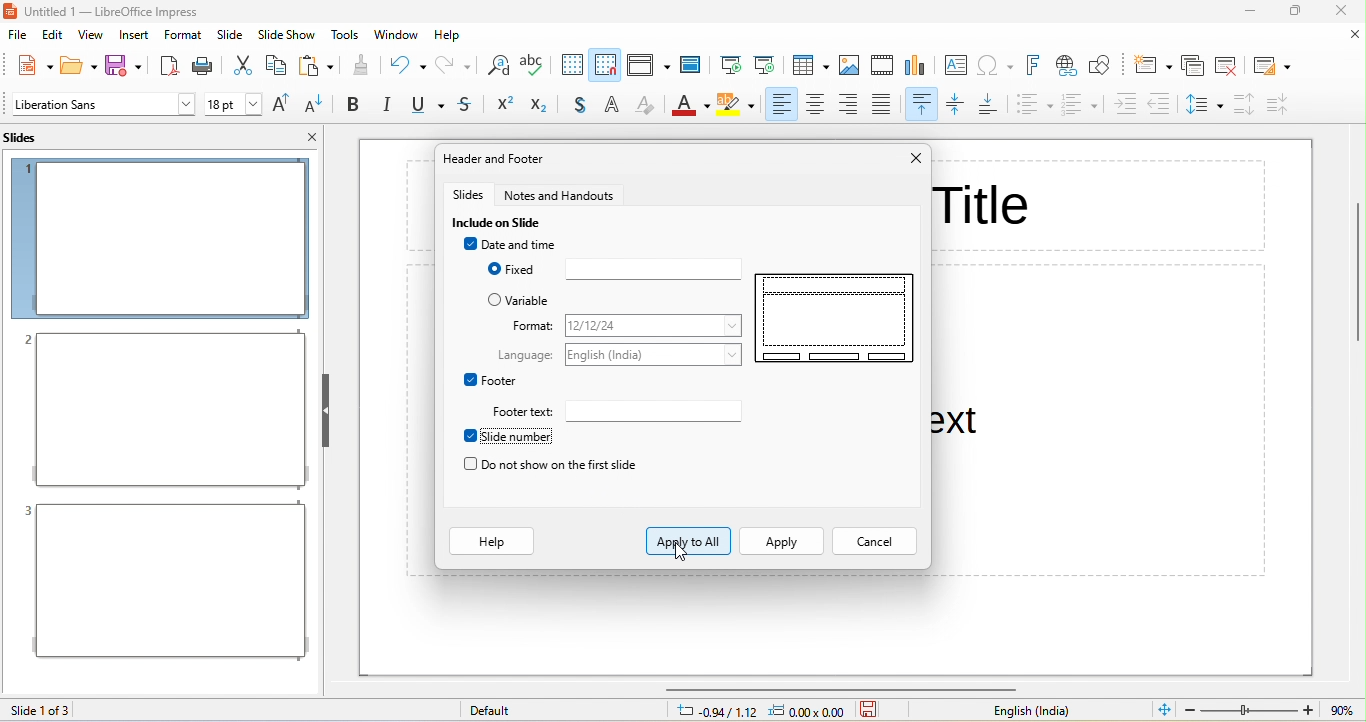 The image size is (1366, 722). Describe the element at coordinates (312, 136) in the screenshot. I see `close` at that location.